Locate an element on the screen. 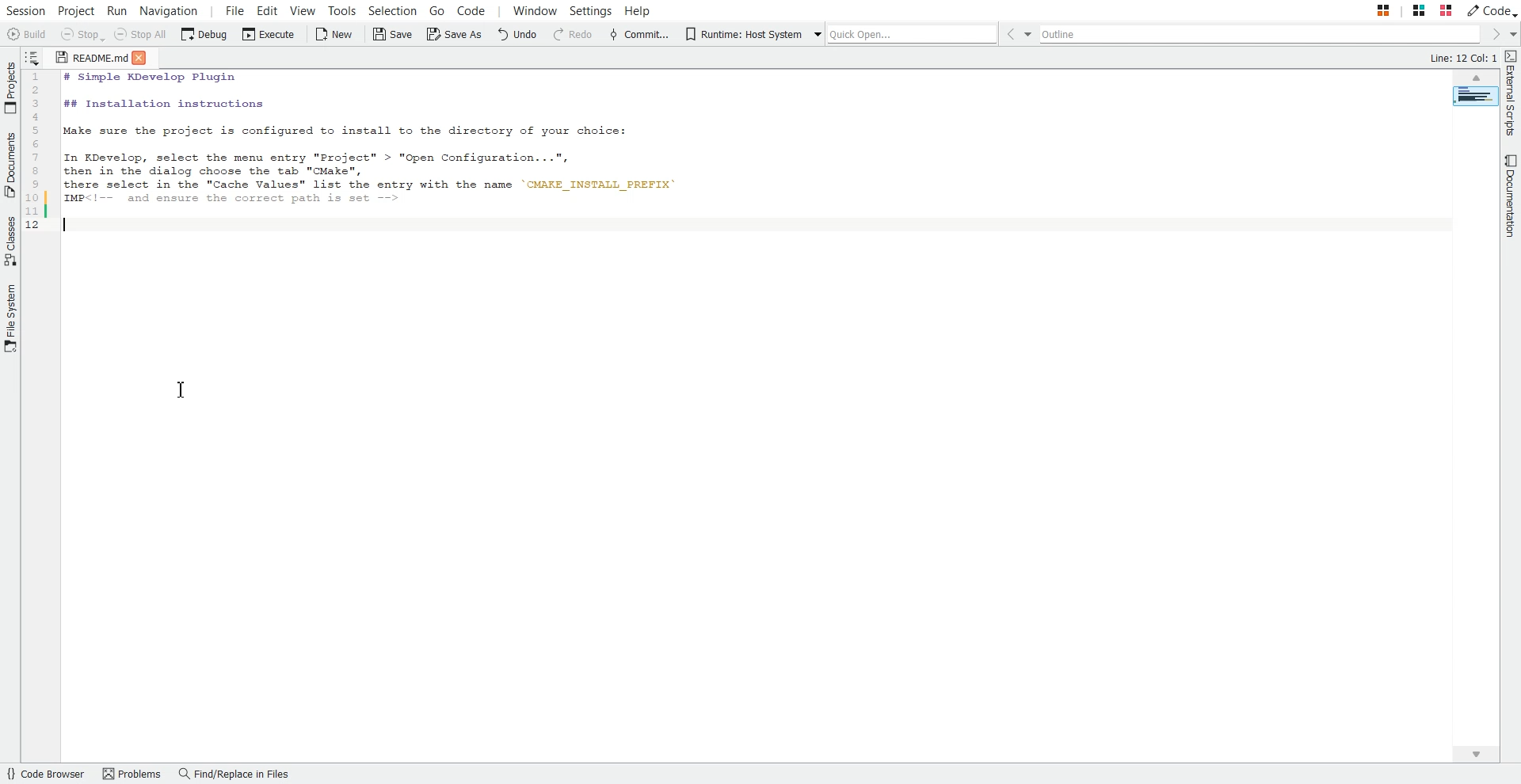 Image resolution: width=1521 pixels, height=784 pixels. Save is located at coordinates (393, 35).